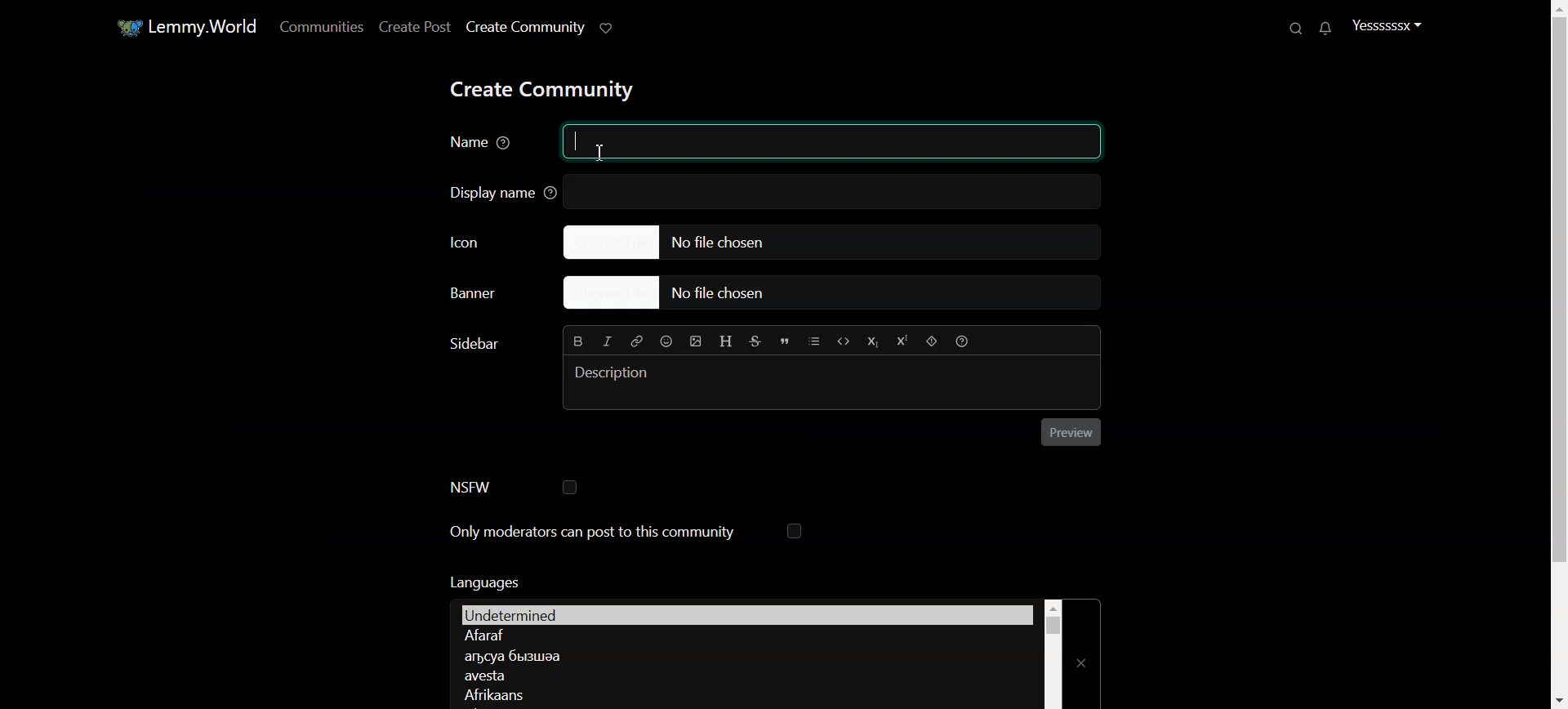 The width and height of the screenshot is (1568, 709). Describe the element at coordinates (744, 676) in the screenshot. I see `Language` at that location.